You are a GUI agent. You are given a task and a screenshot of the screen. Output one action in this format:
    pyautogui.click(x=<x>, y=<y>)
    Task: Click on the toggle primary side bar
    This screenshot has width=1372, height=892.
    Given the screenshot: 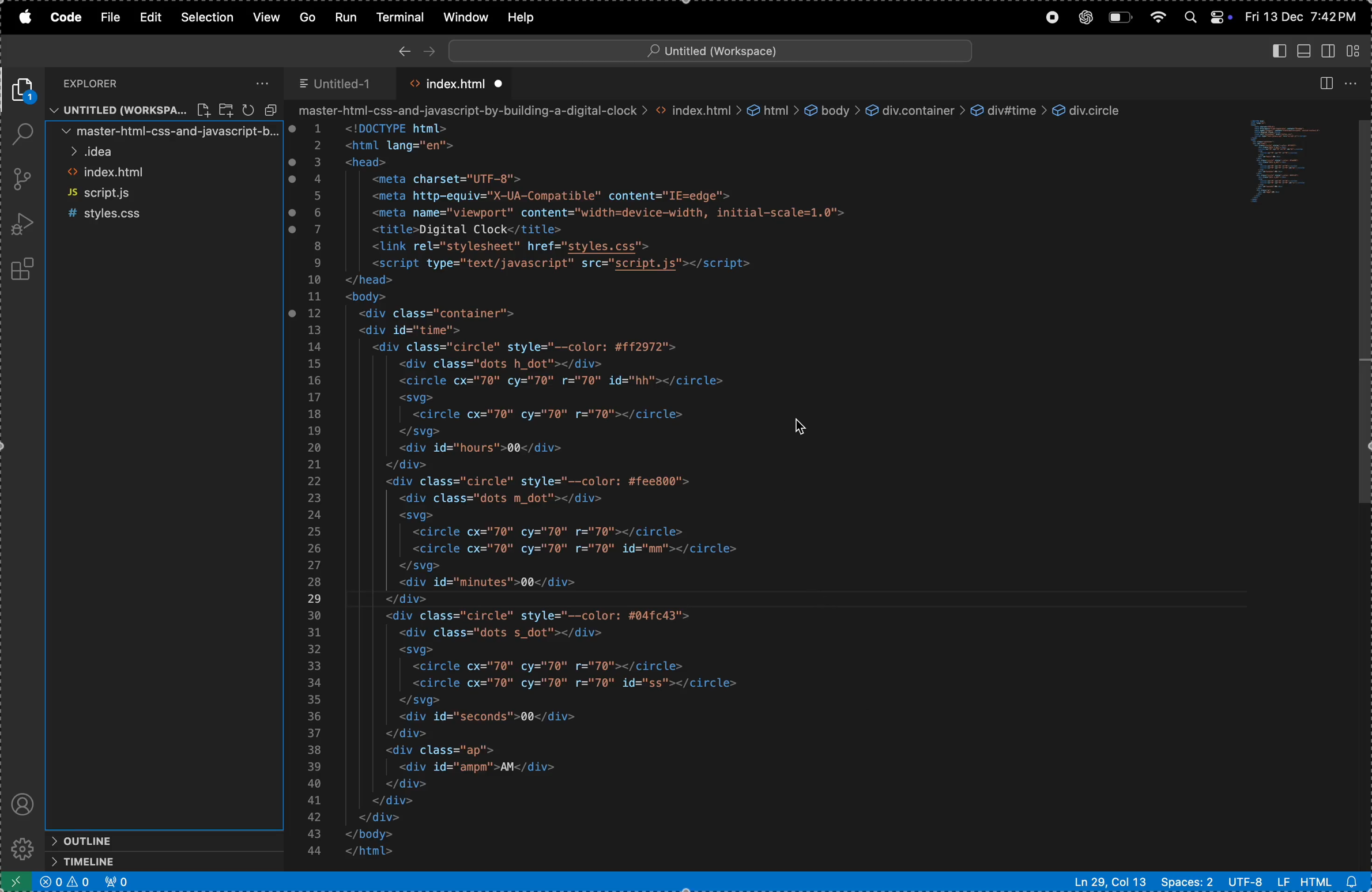 What is the action you would take?
    pyautogui.click(x=1279, y=52)
    